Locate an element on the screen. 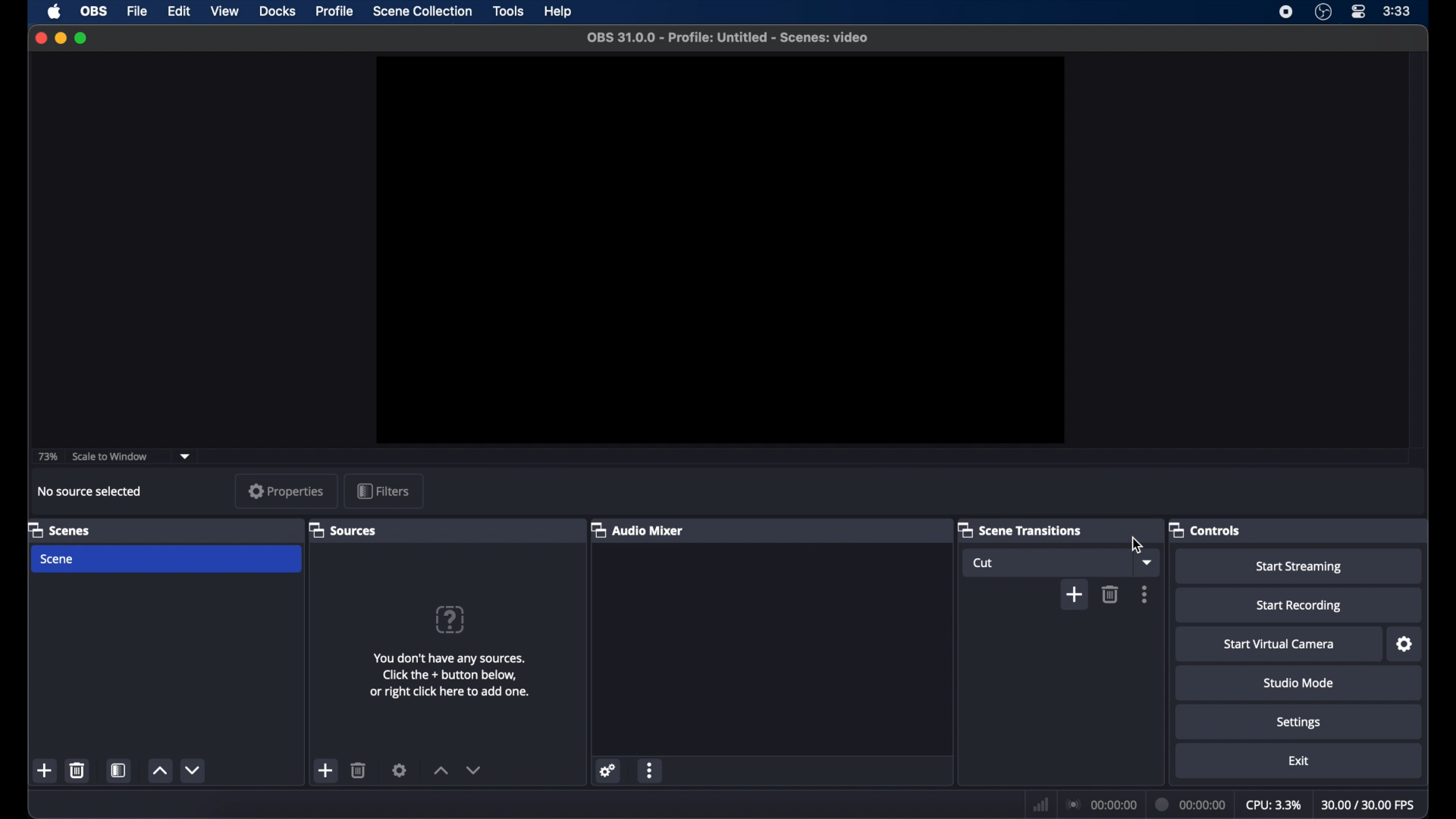 The height and width of the screenshot is (819, 1456). profile is located at coordinates (335, 11).